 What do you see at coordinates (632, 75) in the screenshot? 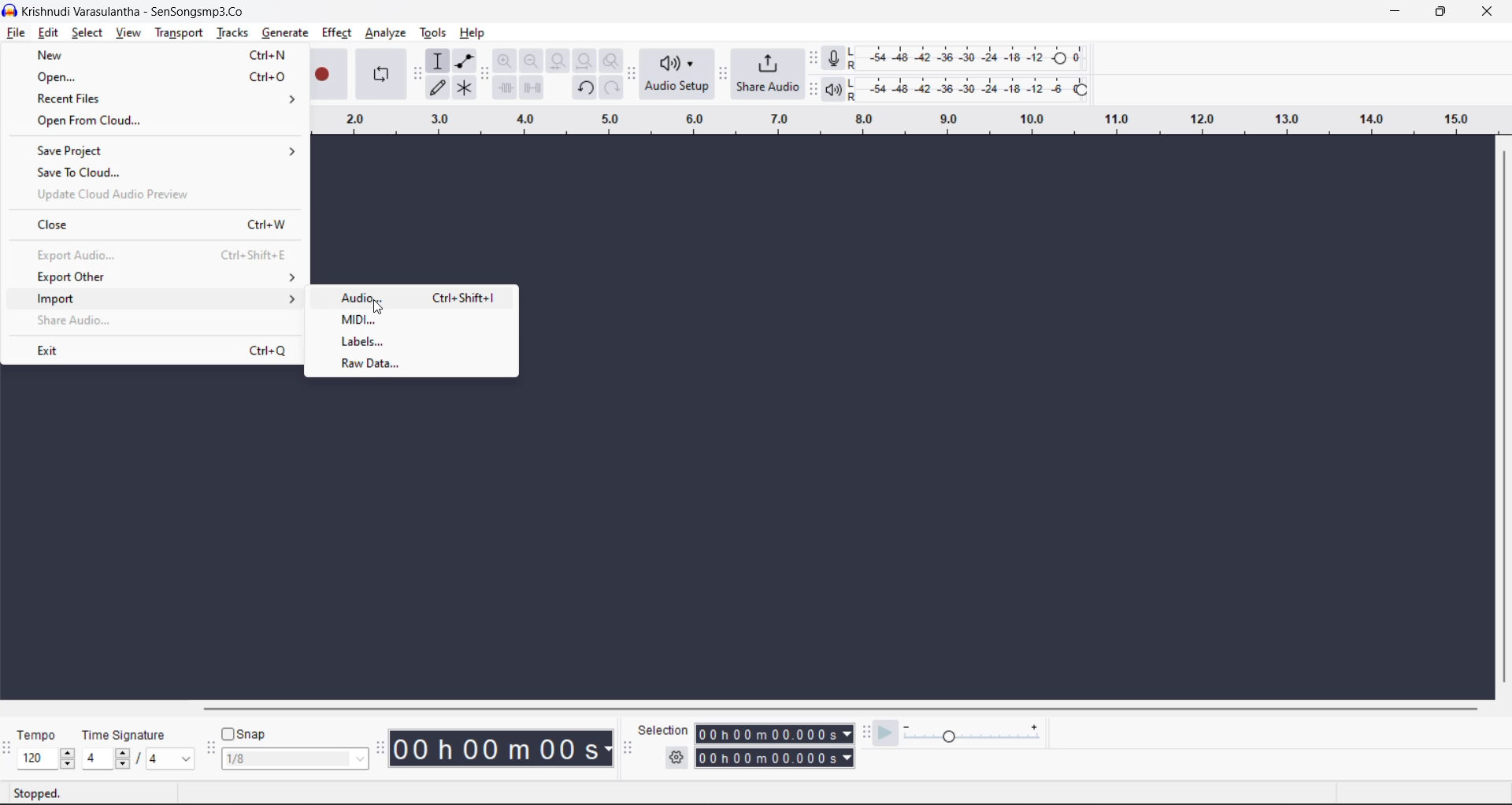
I see `audio setup toolbar` at bounding box center [632, 75].